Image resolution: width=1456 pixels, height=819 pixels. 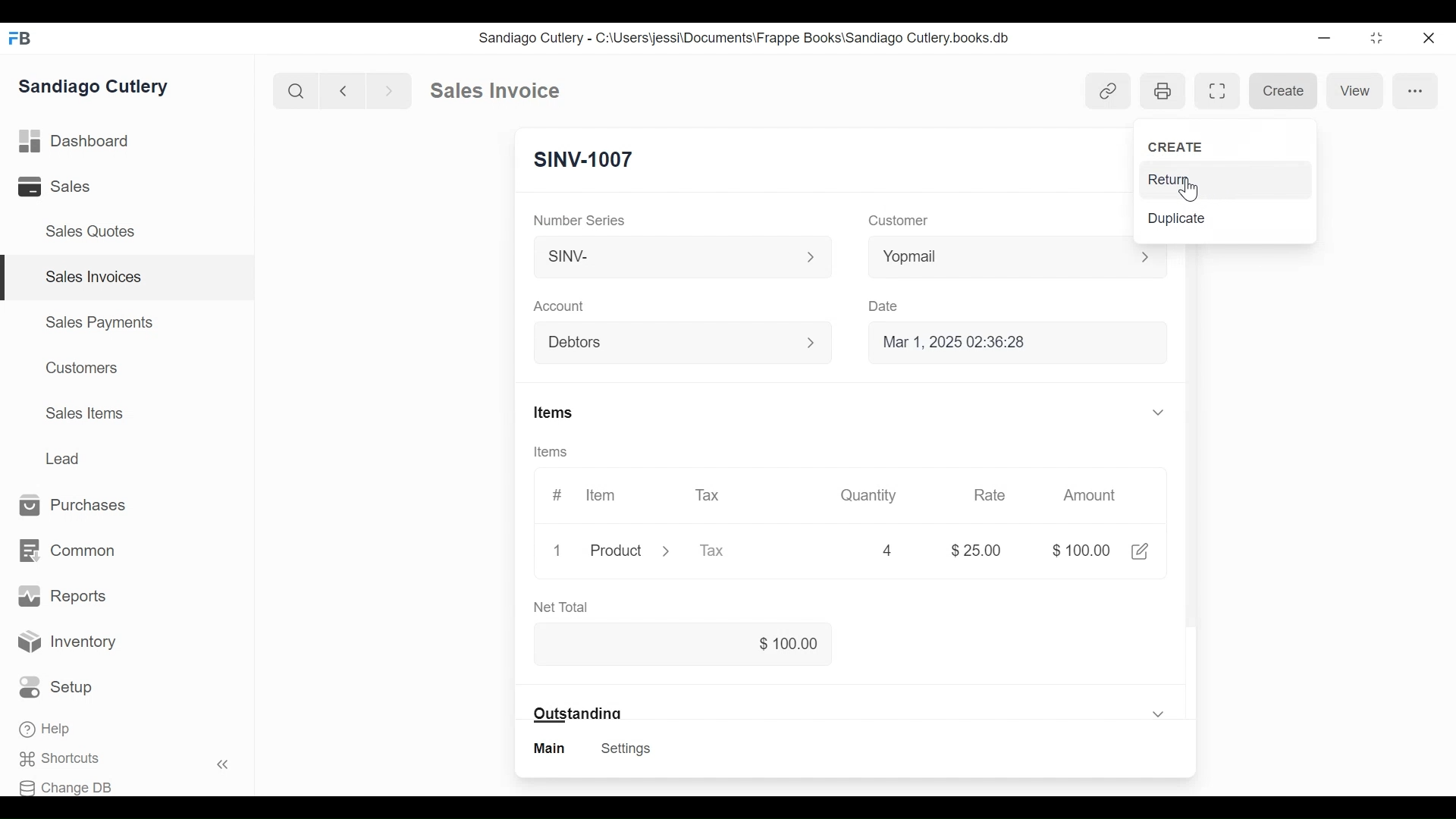 I want to click on Tax, so click(x=714, y=551).